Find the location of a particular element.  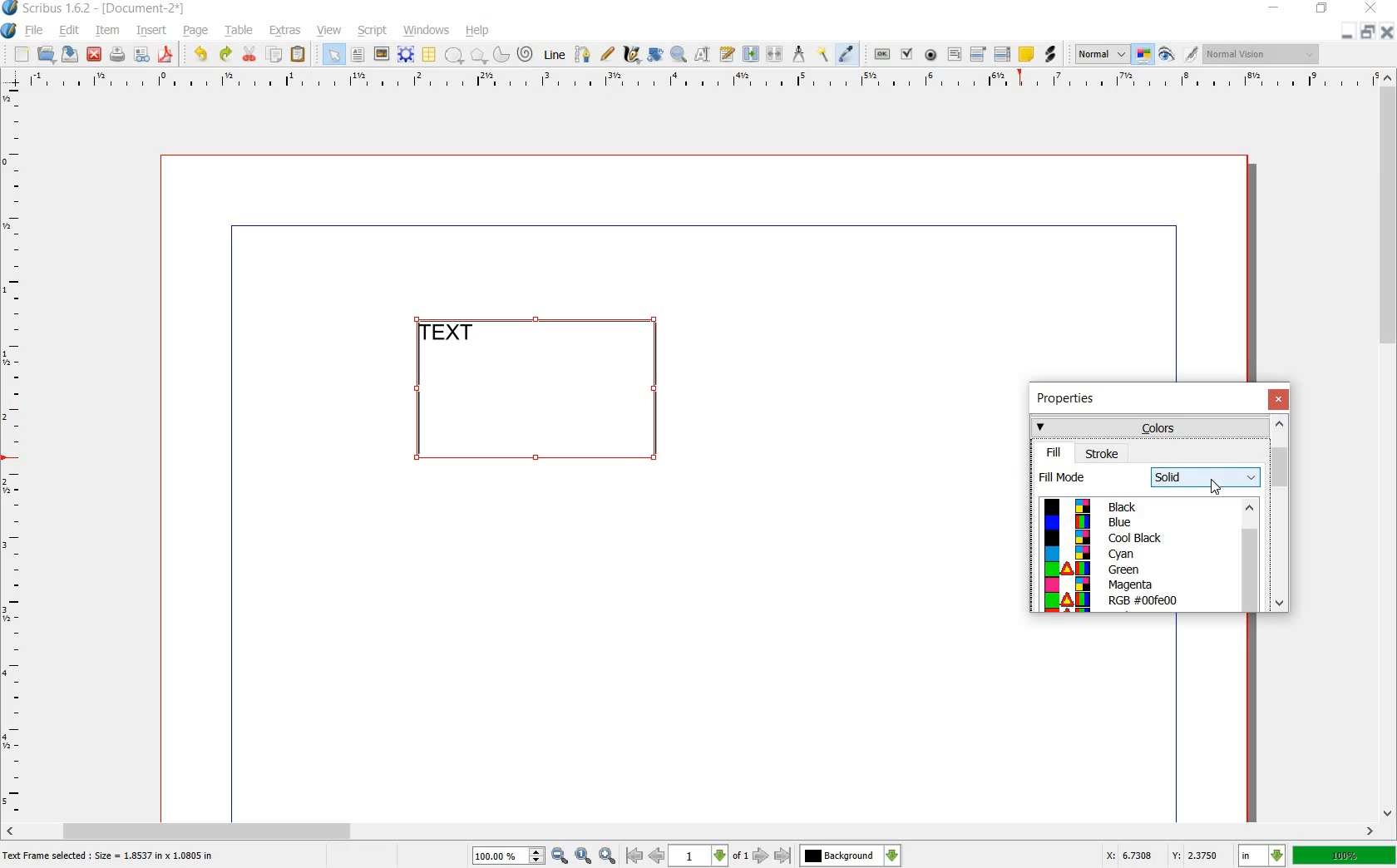

table is located at coordinates (430, 55).